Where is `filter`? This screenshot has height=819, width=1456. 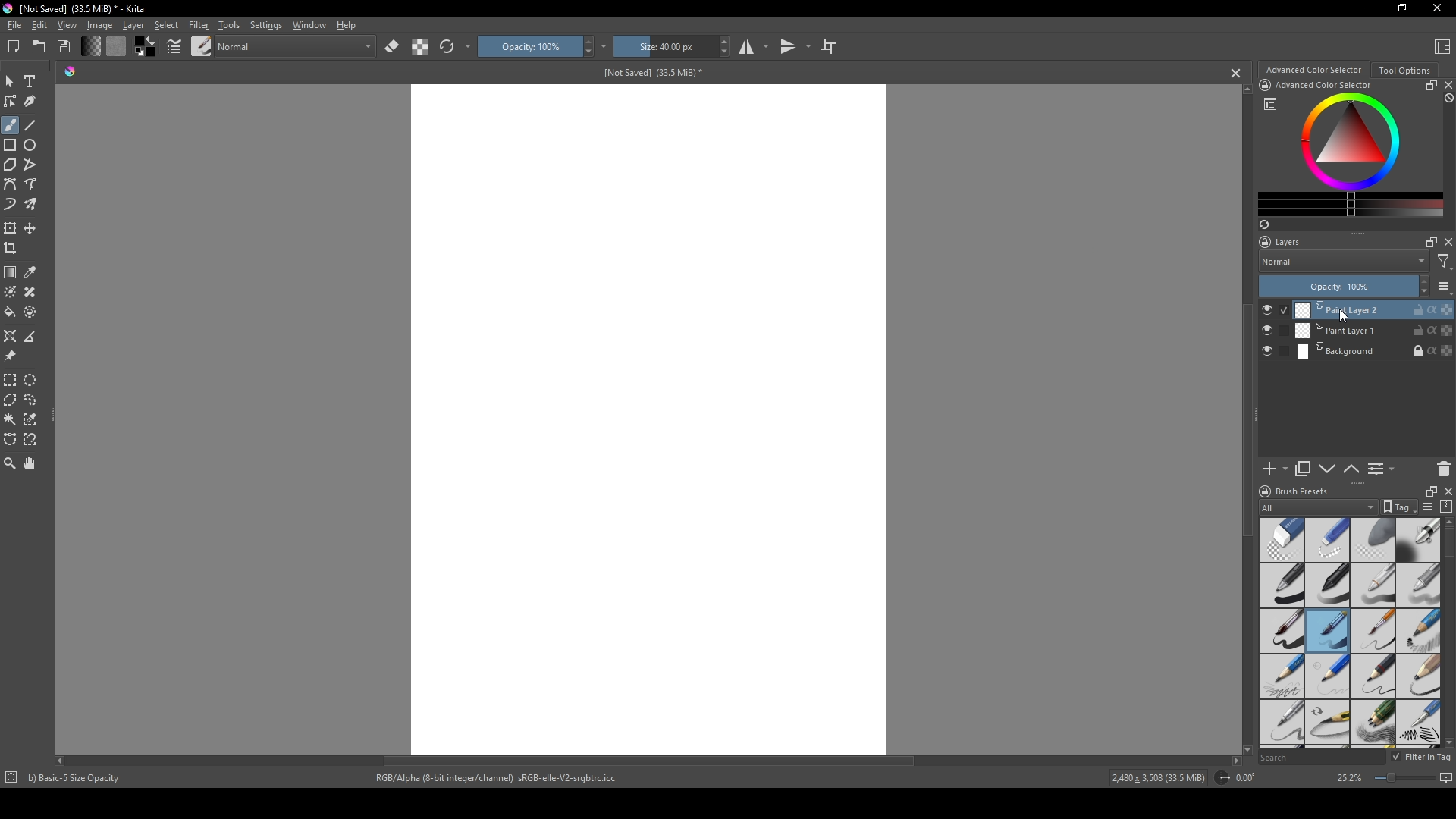 filter is located at coordinates (1444, 262).